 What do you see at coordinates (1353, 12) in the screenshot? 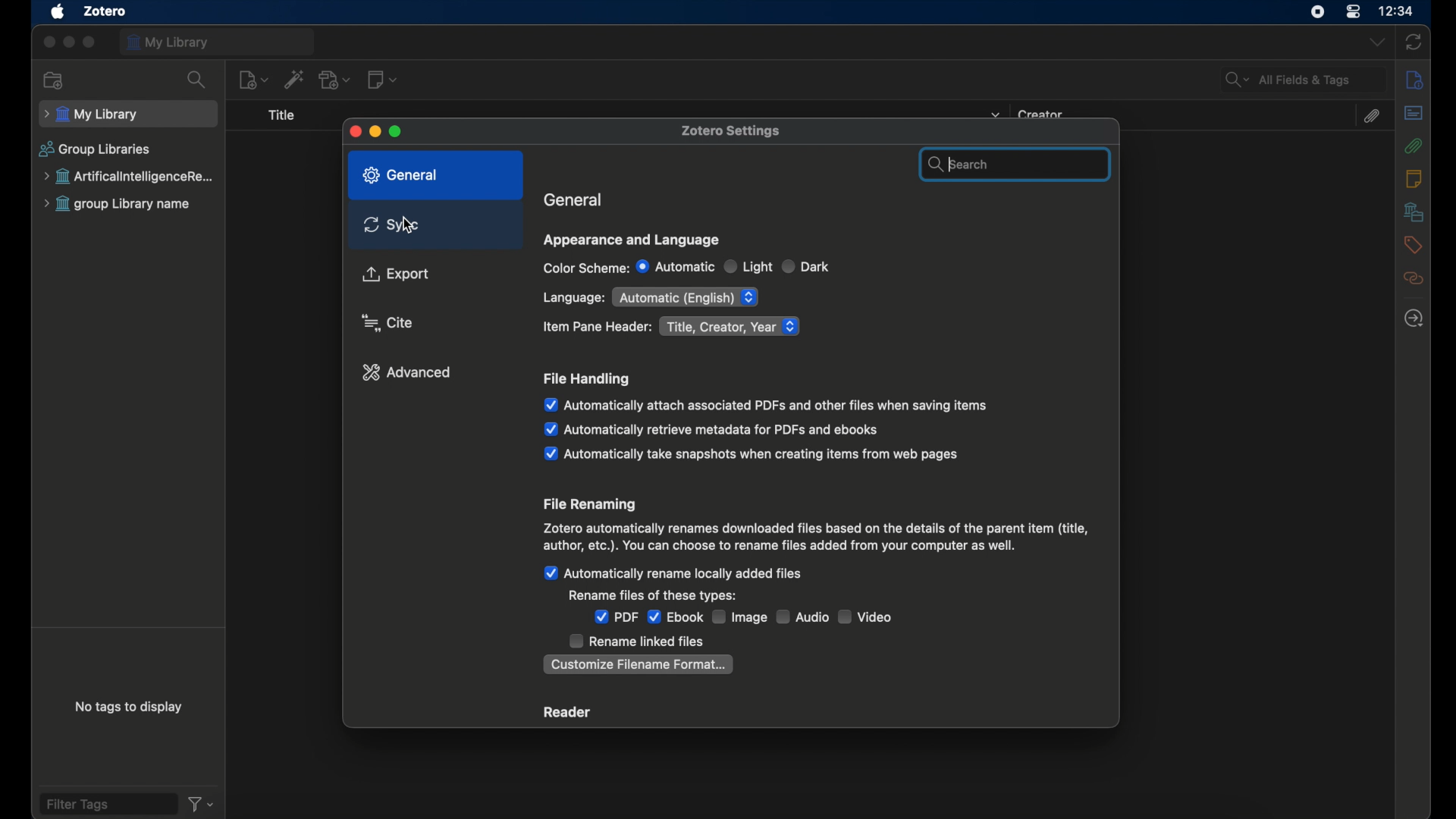
I see `control center` at bounding box center [1353, 12].